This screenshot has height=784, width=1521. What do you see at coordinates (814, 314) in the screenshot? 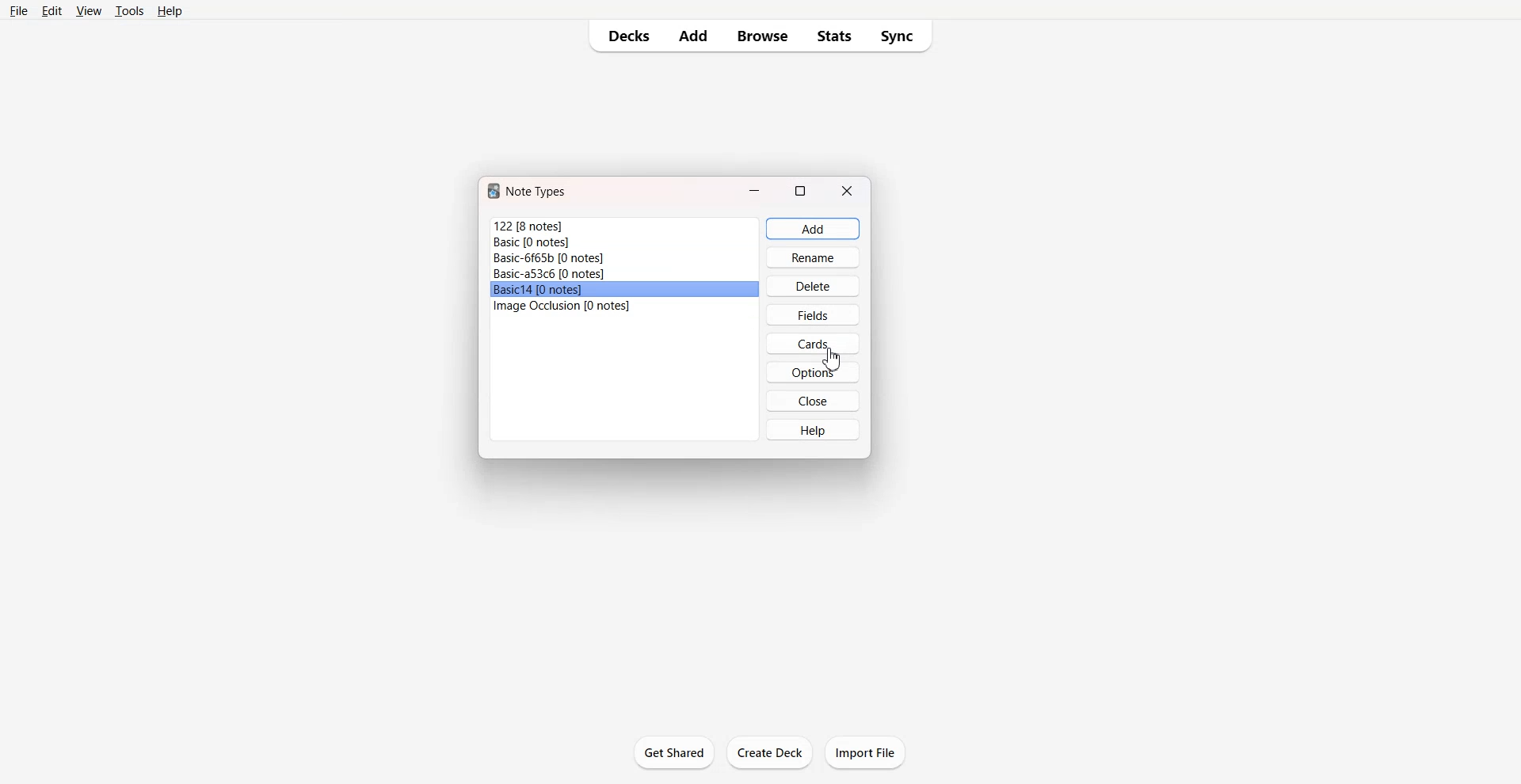
I see `Fields` at bounding box center [814, 314].